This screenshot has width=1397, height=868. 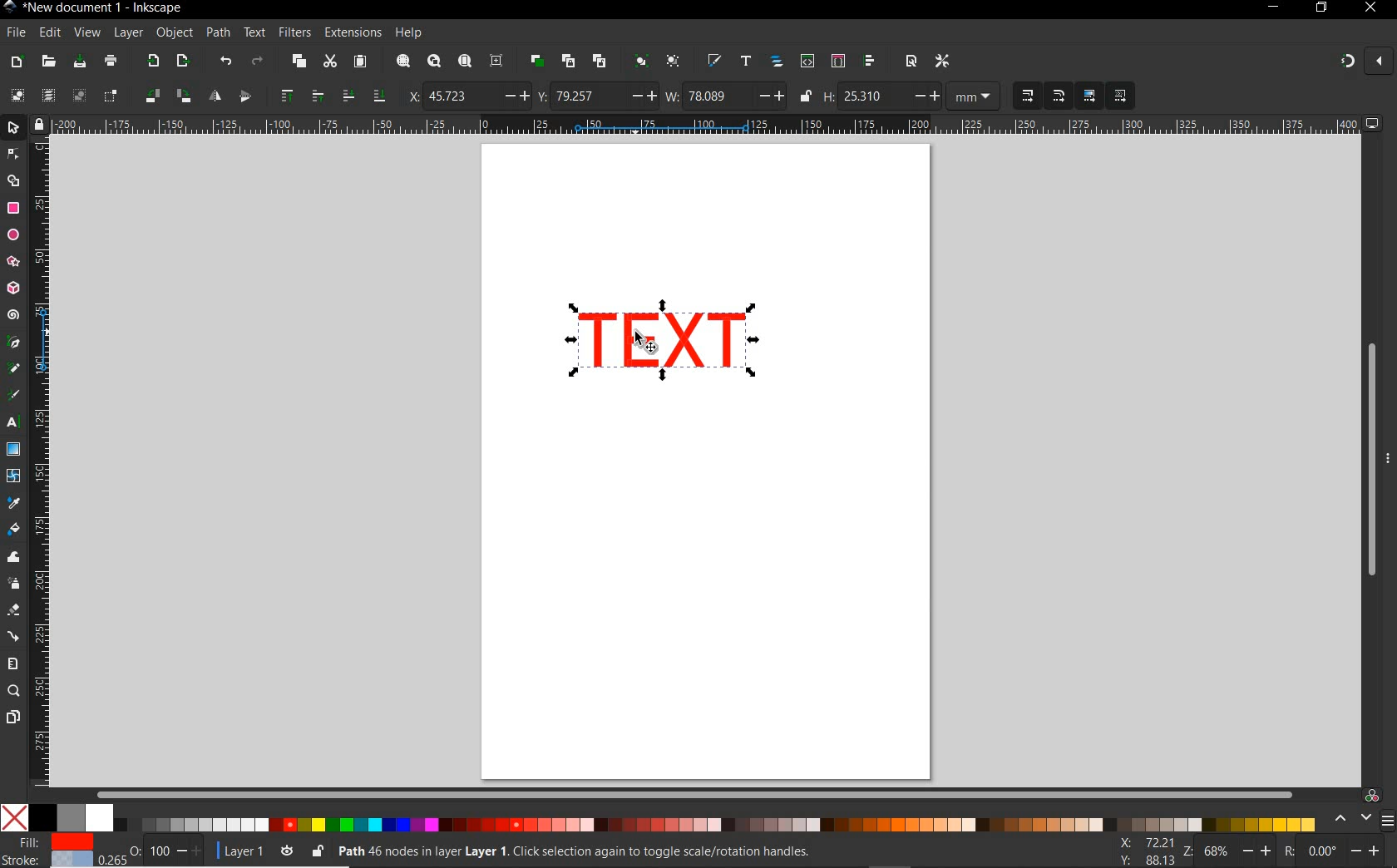 What do you see at coordinates (14, 170) in the screenshot?
I see `SELECTOR TOOL` at bounding box center [14, 170].